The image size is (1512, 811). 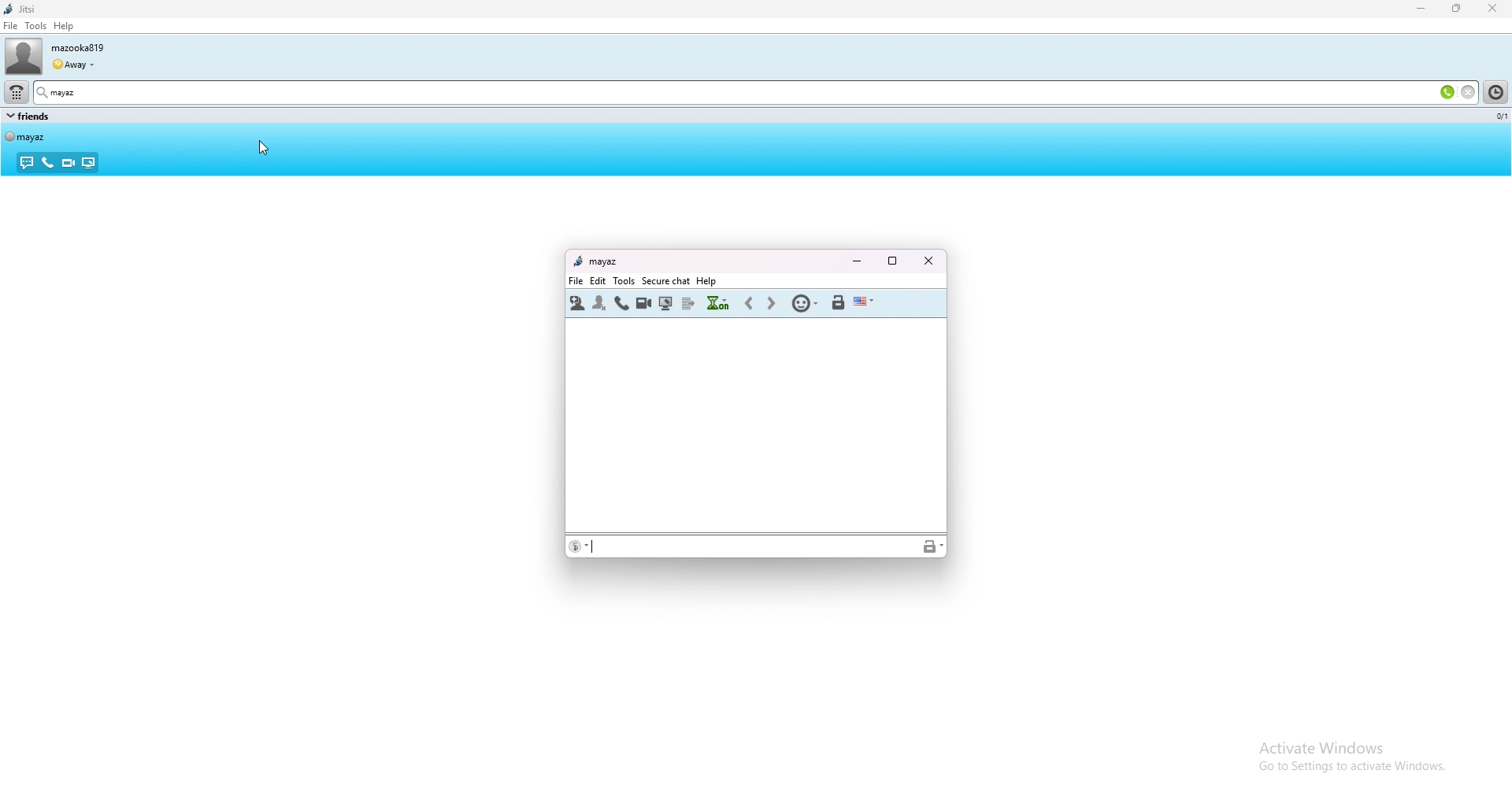 I want to click on lock, so click(x=932, y=547).